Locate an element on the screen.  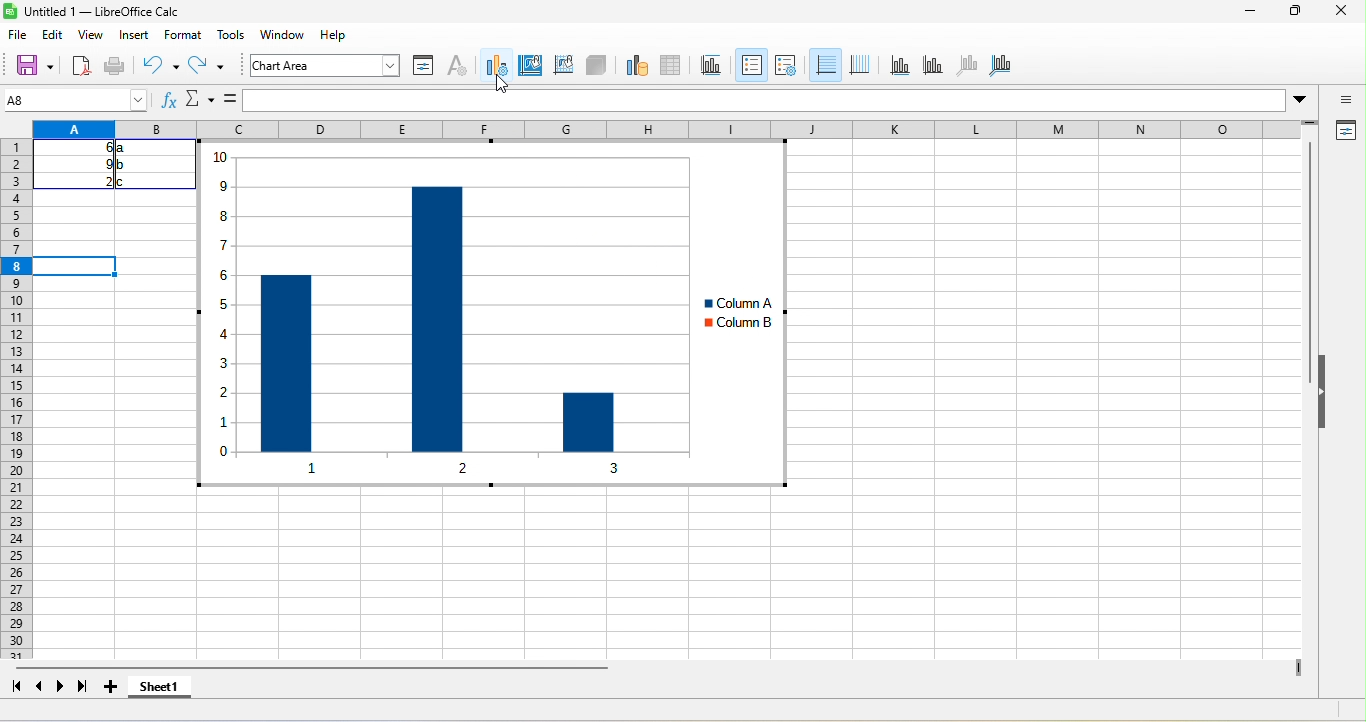
chart wall is located at coordinates (562, 64).